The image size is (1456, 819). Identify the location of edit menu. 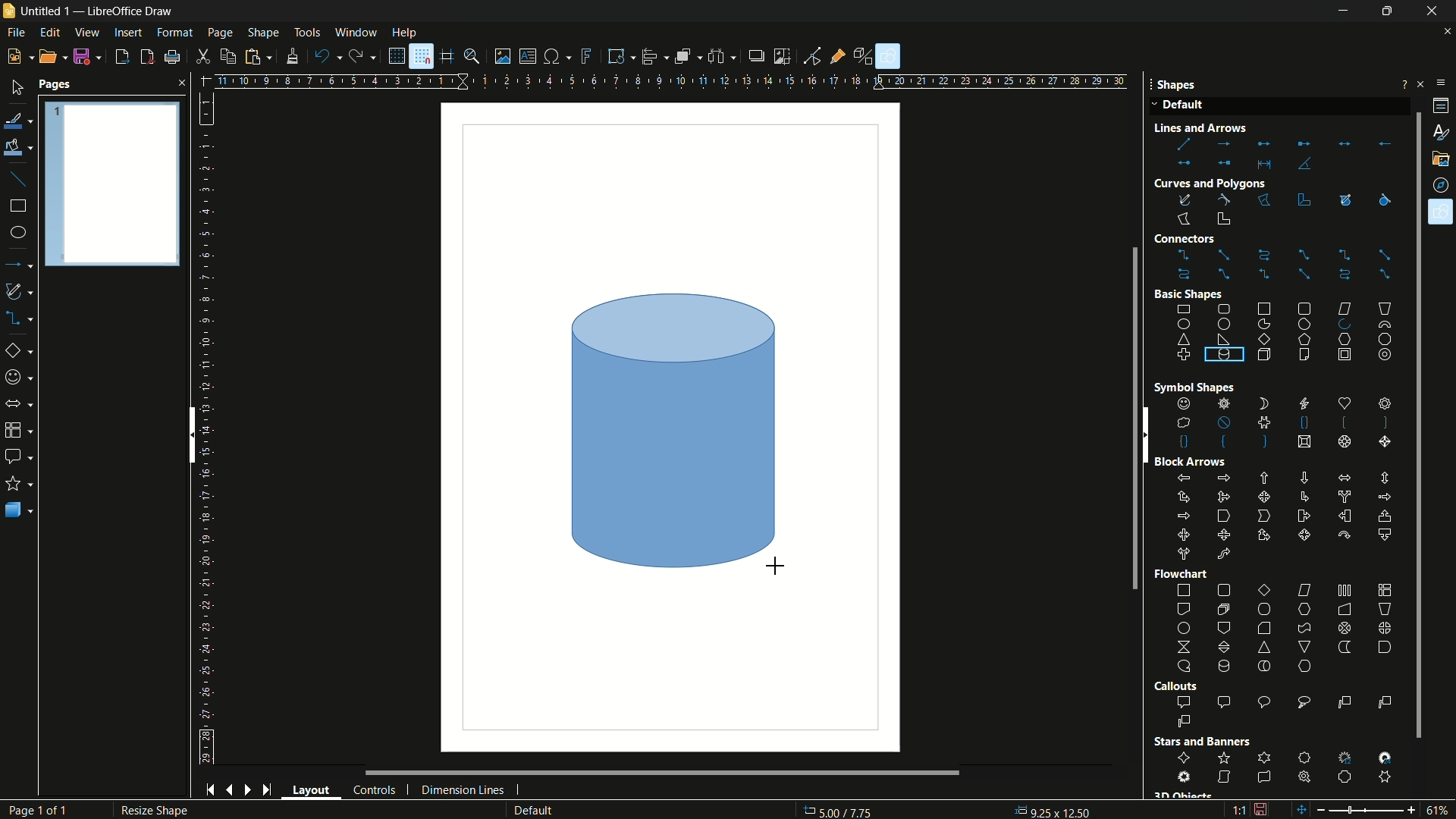
(49, 33).